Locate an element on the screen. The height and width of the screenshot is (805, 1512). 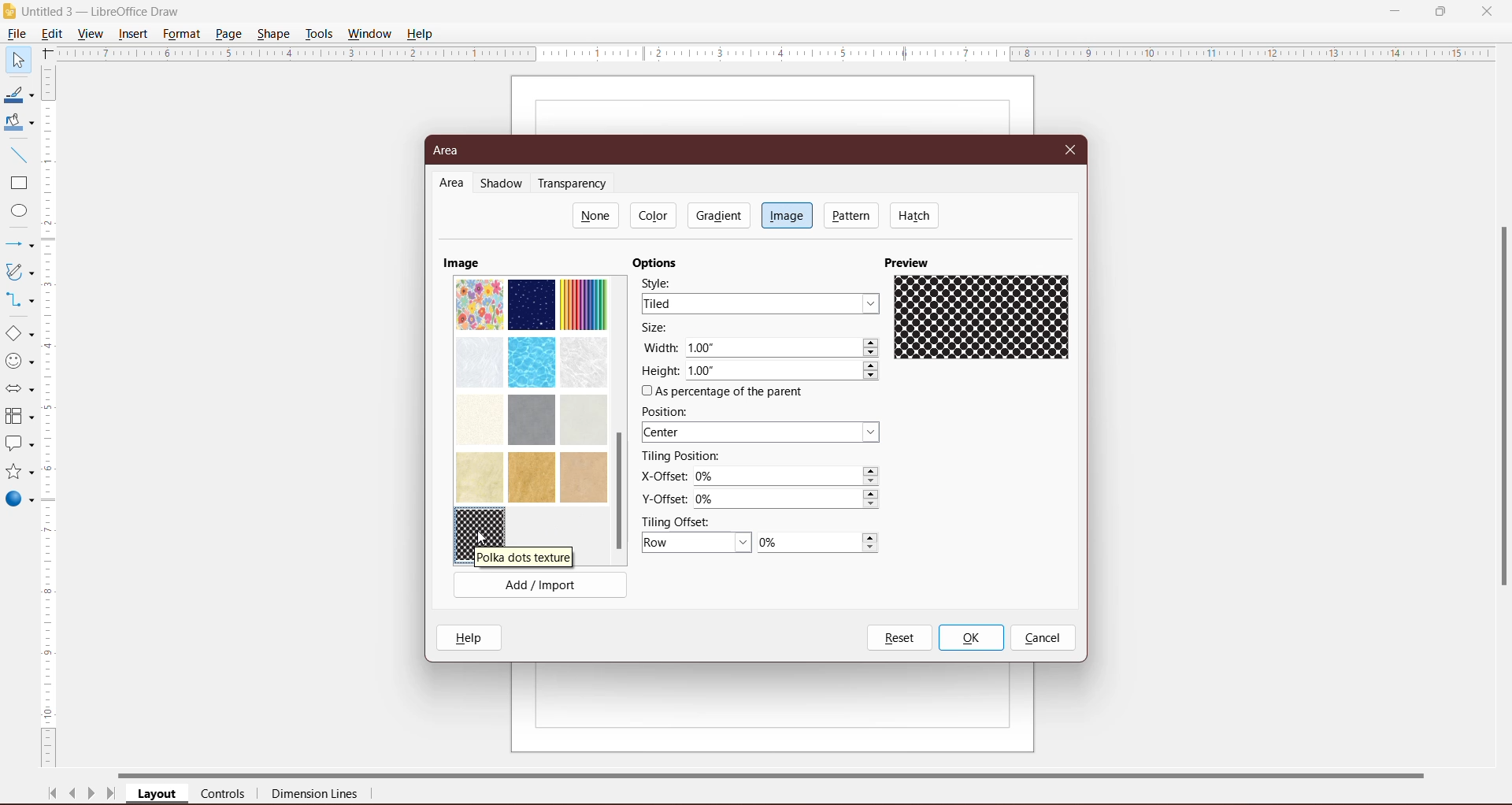
Transparency is located at coordinates (576, 184).